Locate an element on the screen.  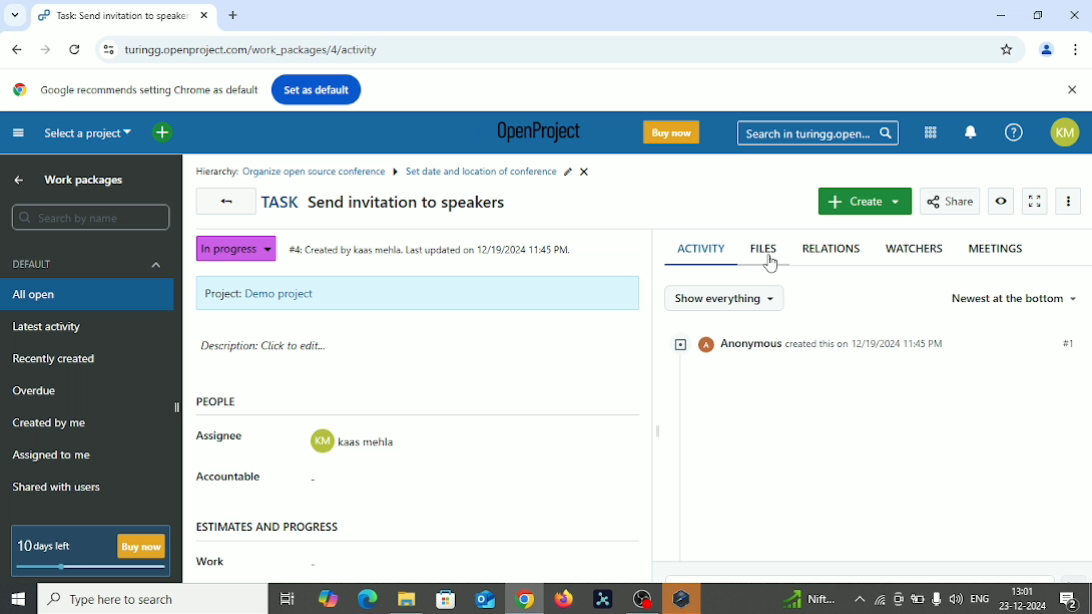
In progress is located at coordinates (234, 249).